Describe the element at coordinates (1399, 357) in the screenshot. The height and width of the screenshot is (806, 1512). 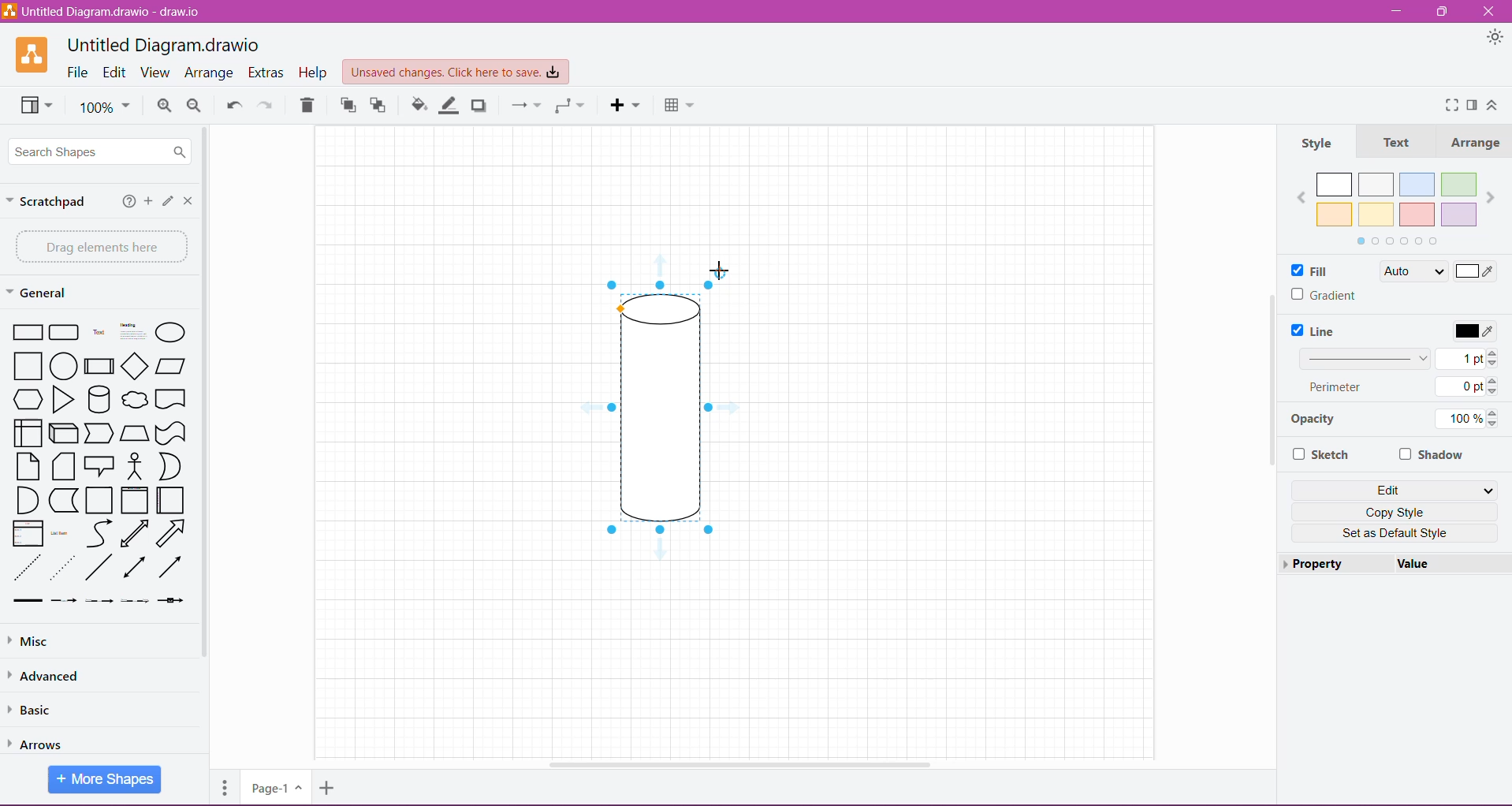
I see `Set Line width` at that location.